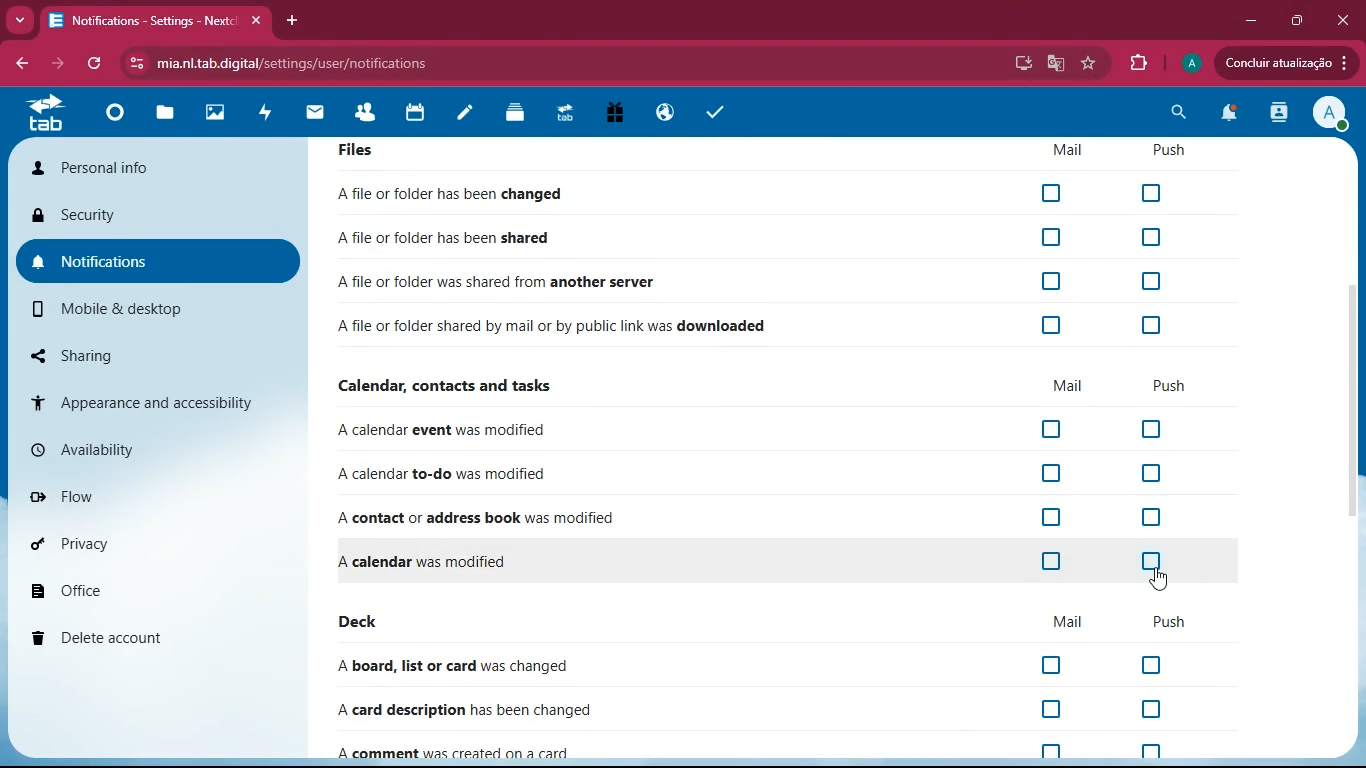  Describe the element at coordinates (1152, 517) in the screenshot. I see `off` at that location.